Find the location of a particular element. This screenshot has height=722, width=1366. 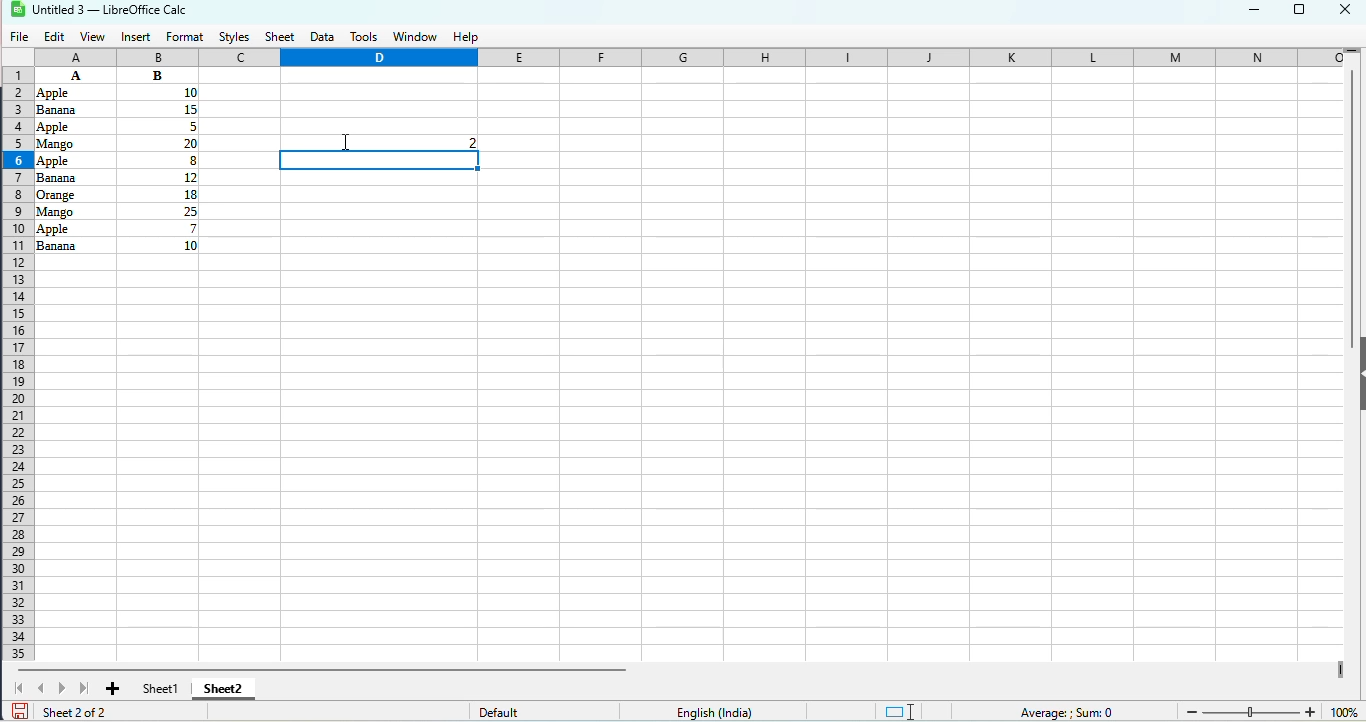

maximize is located at coordinates (1299, 12).